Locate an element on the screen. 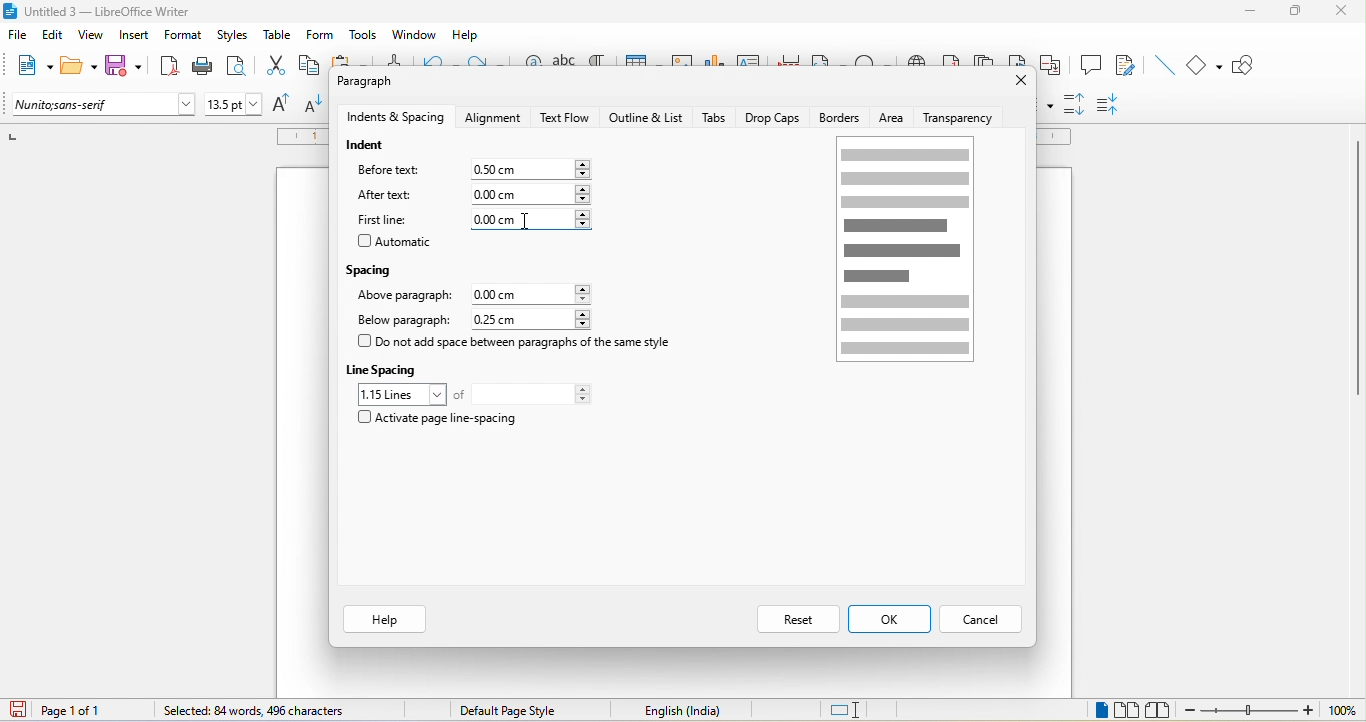 The height and width of the screenshot is (722, 1366). multiple page view is located at coordinates (1127, 711).